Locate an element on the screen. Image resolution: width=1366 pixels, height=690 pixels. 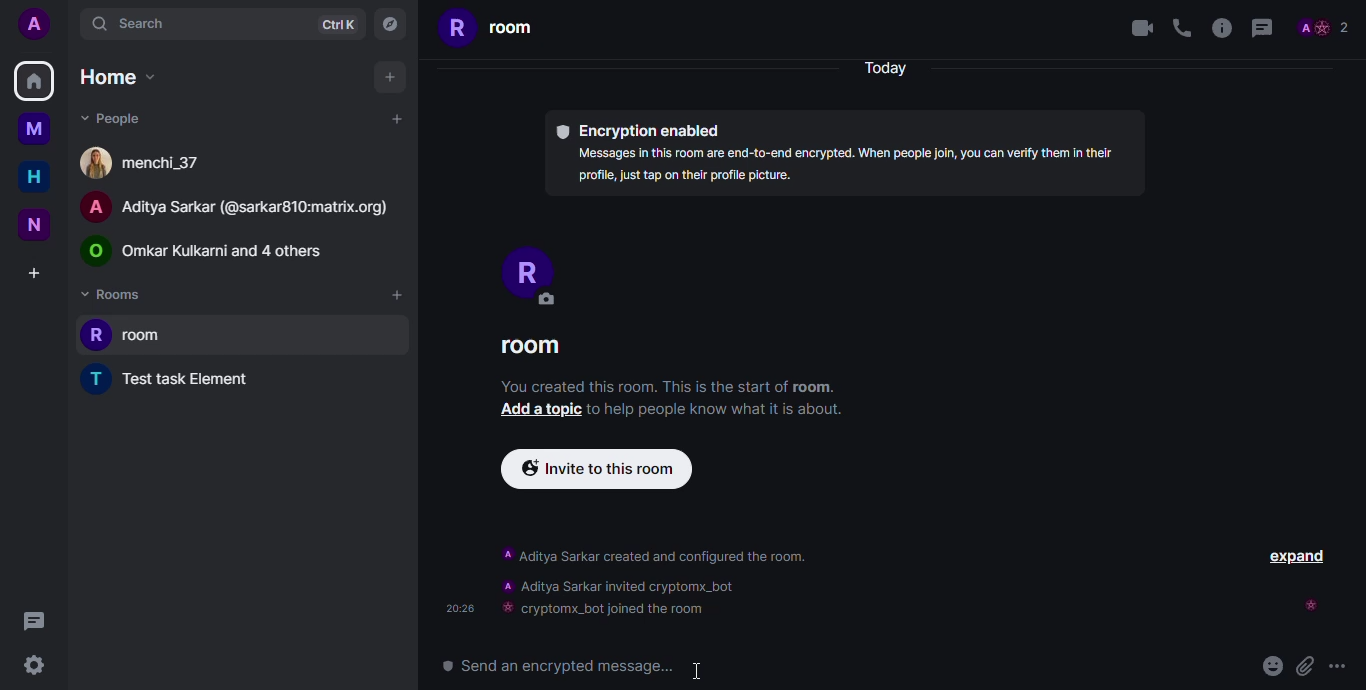
home is located at coordinates (119, 76).